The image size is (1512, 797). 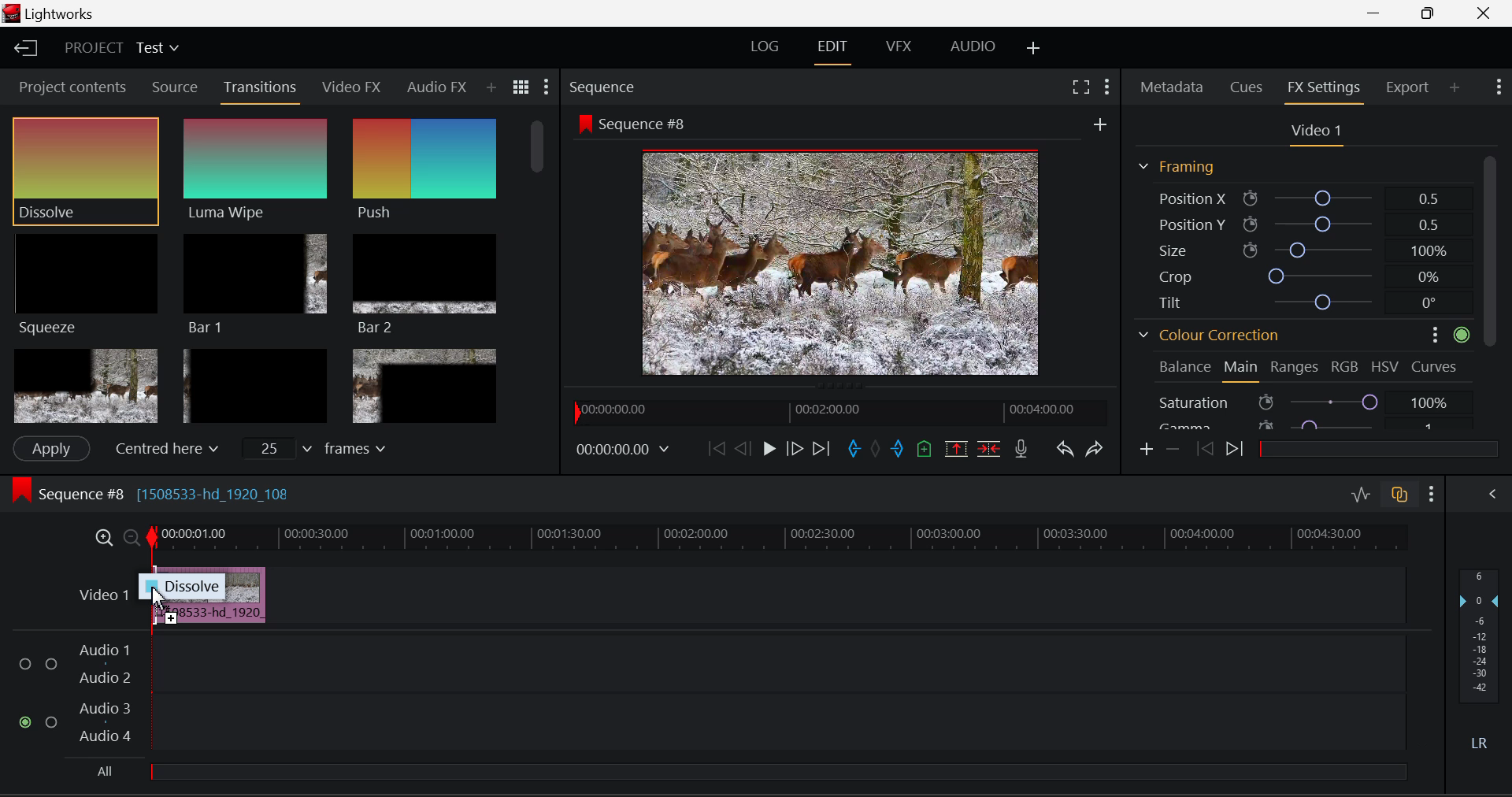 What do you see at coordinates (212, 594) in the screenshot?
I see `Effect Applied` at bounding box center [212, 594].